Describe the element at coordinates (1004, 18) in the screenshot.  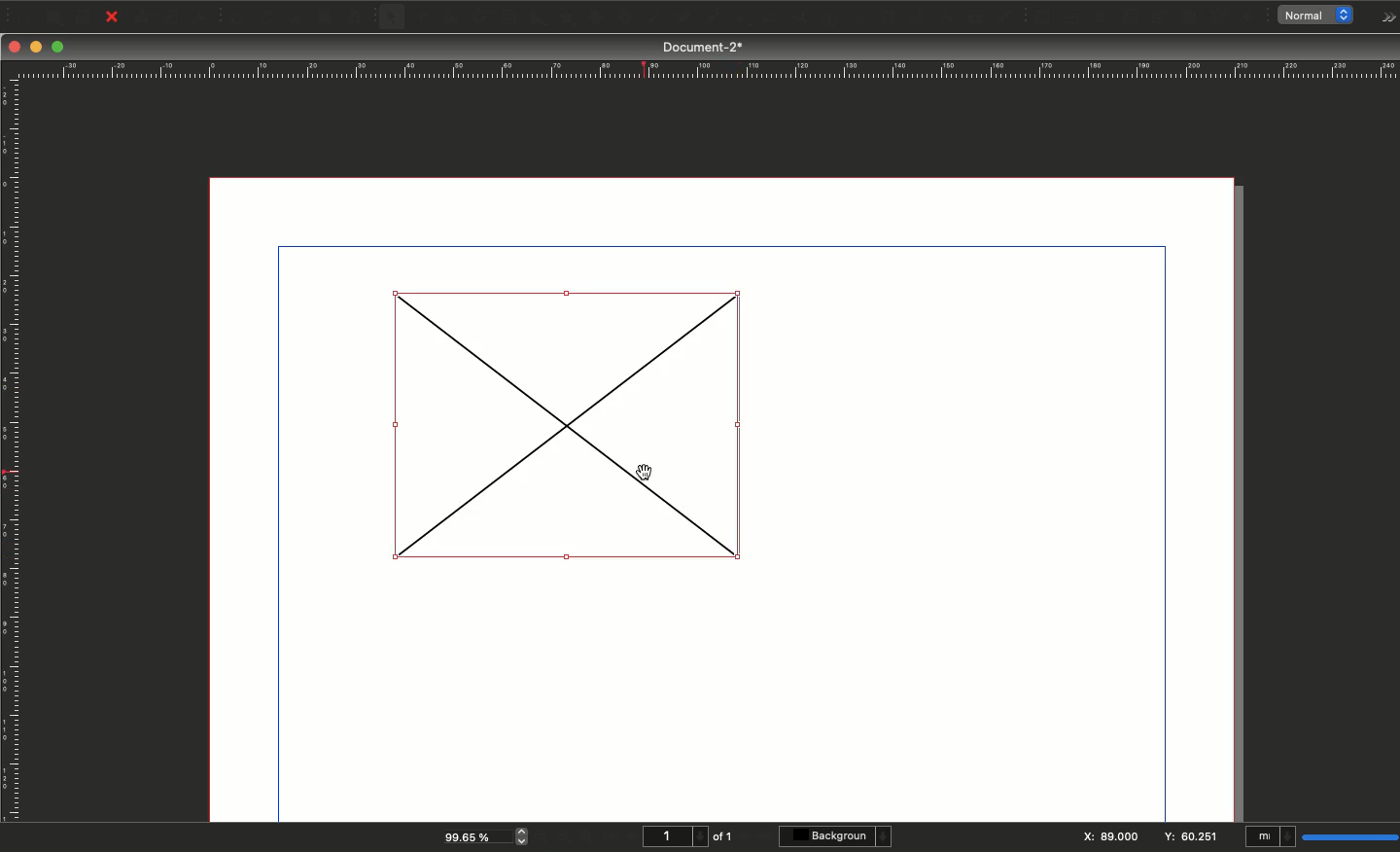
I see `Eye dropper` at that location.